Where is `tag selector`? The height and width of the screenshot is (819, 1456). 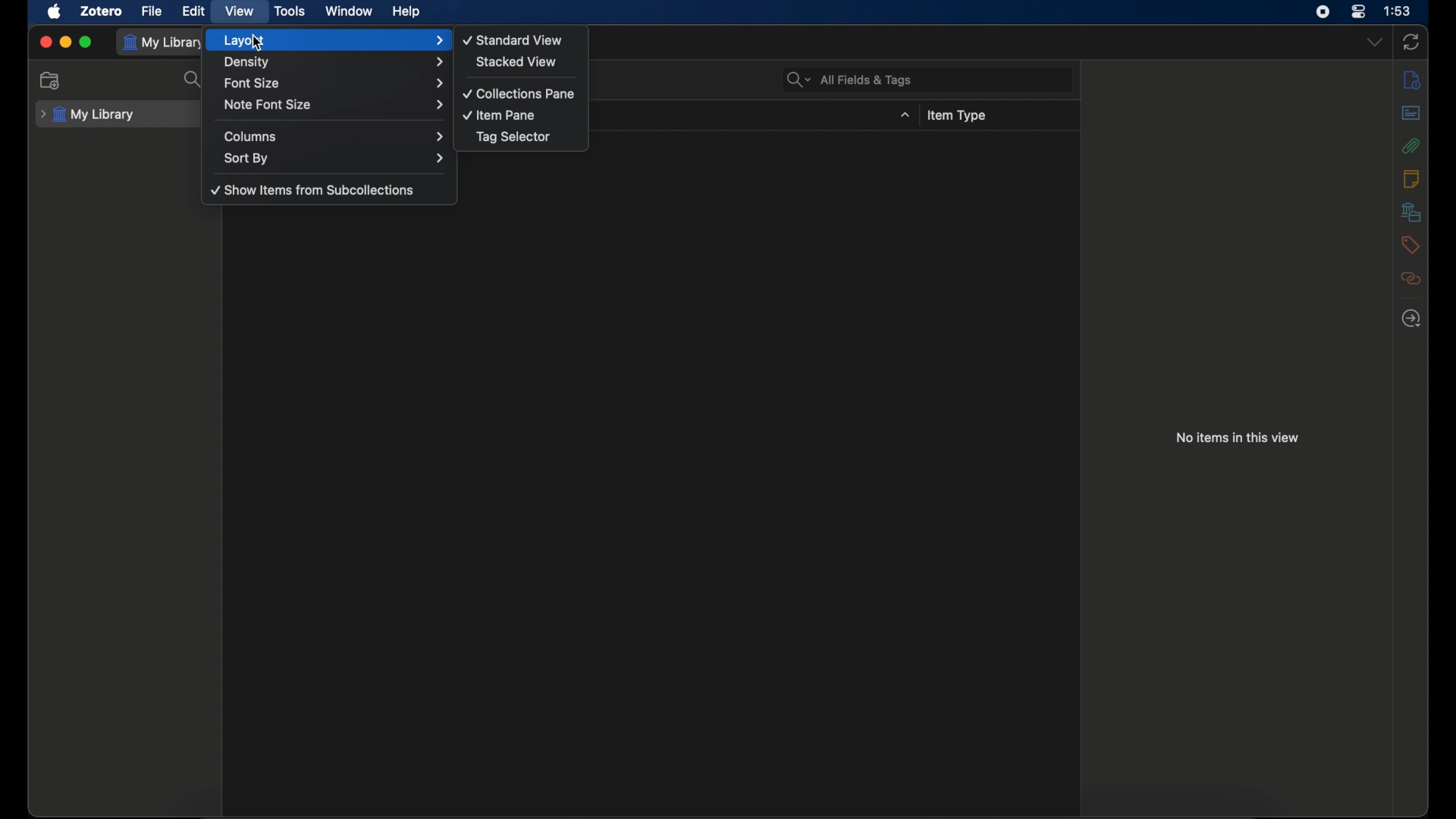 tag selector is located at coordinates (513, 137).